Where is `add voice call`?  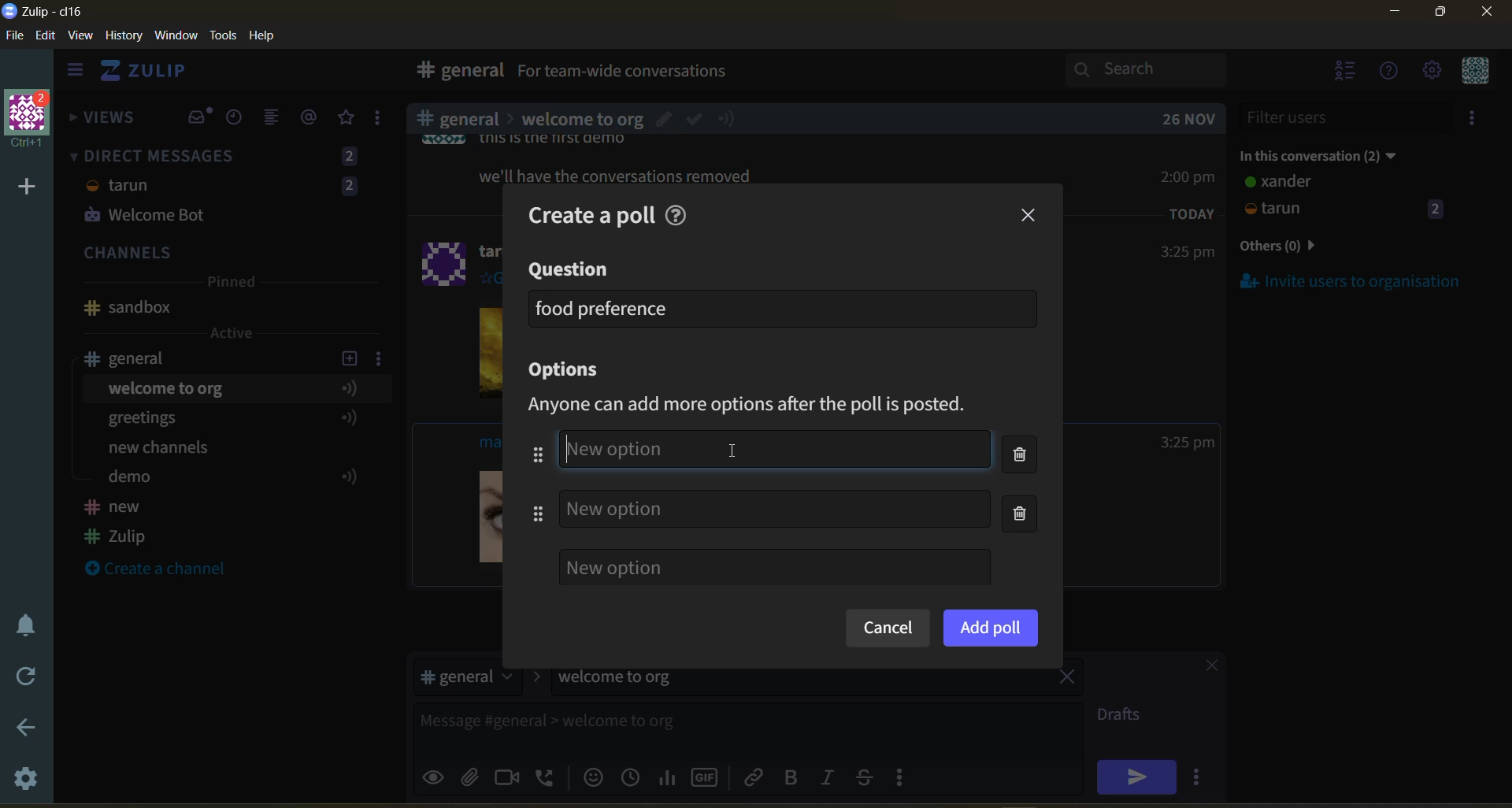
add voice call is located at coordinates (547, 776).